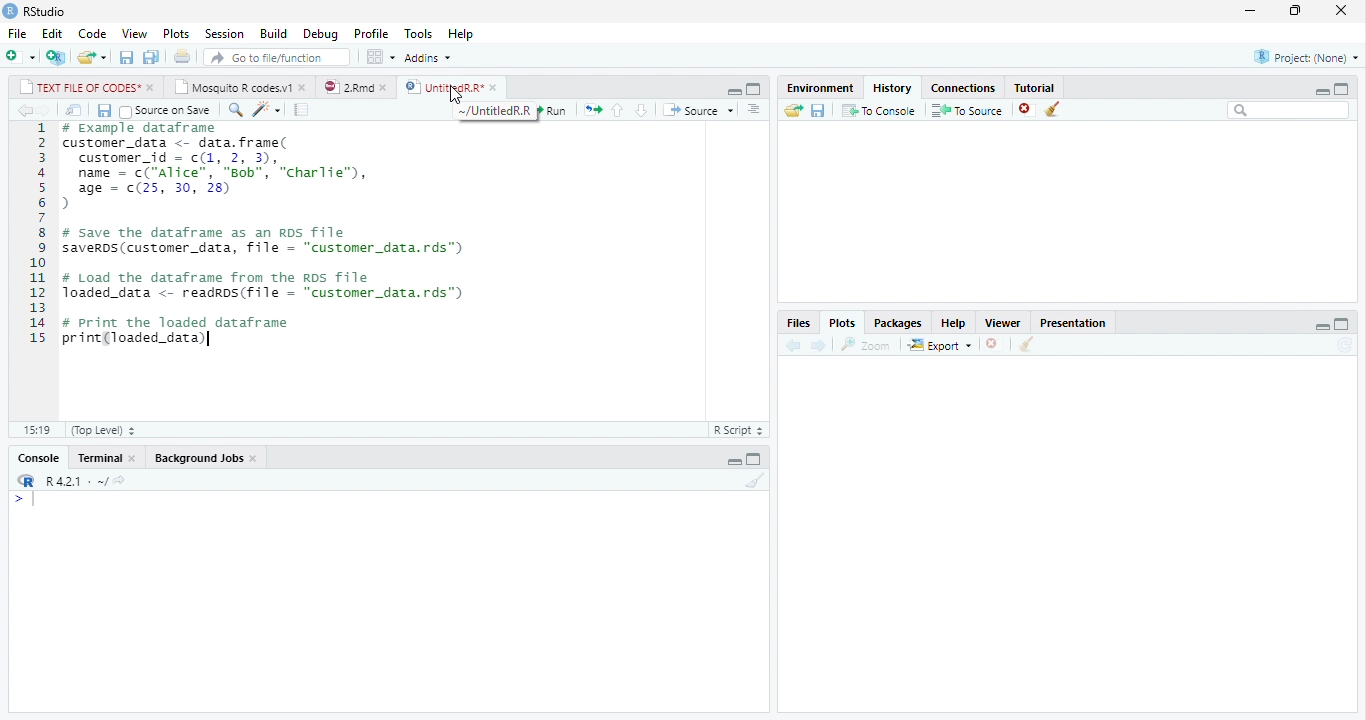 The height and width of the screenshot is (720, 1366). What do you see at coordinates (175, 34) in the screenshot?
I see `Plots` at bounding box center [175, 34].